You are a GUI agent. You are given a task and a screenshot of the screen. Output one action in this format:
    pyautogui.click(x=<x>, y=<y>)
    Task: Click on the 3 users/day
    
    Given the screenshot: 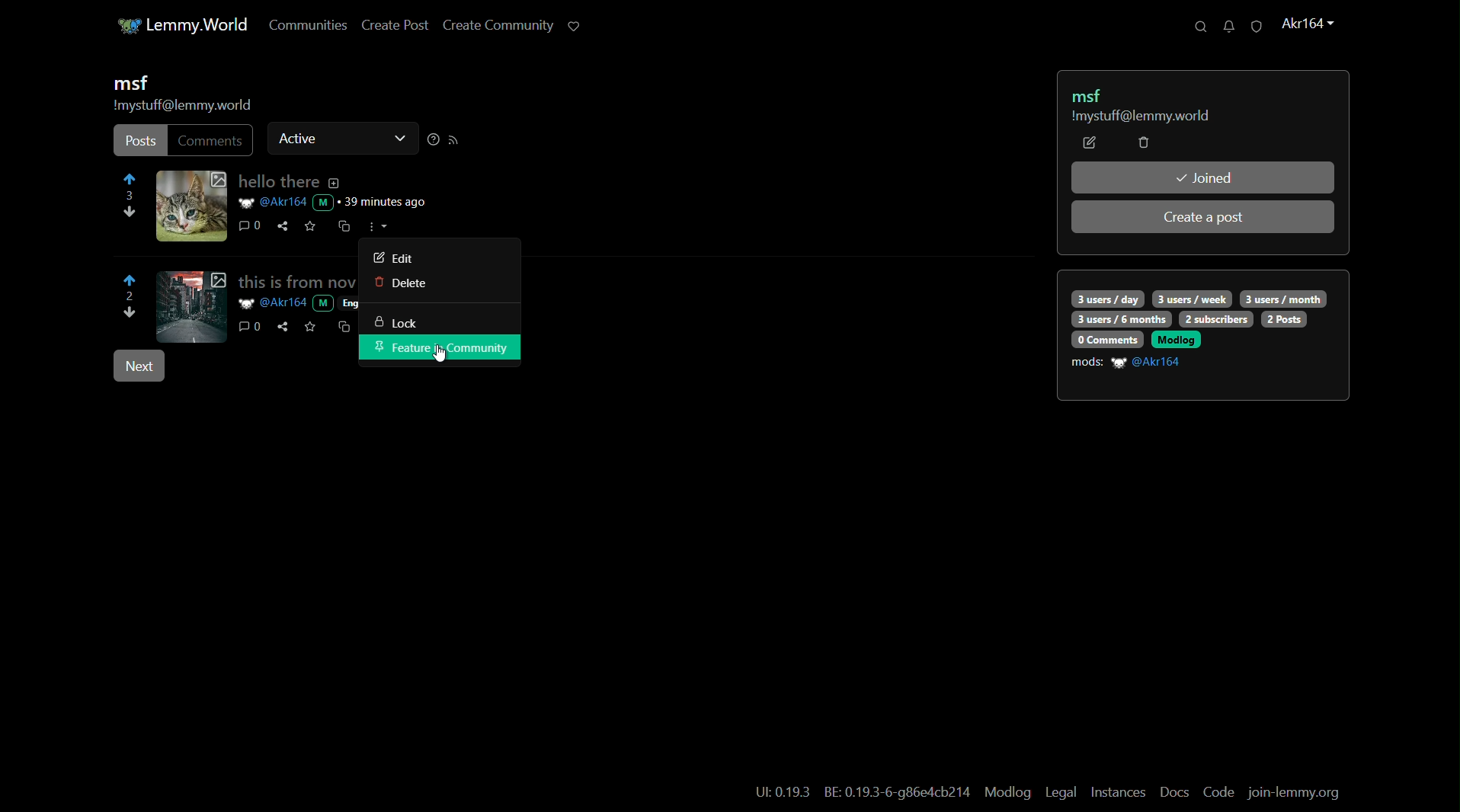 What is the action you would take?
    pyautogui.click(x=1106, y=299)
    